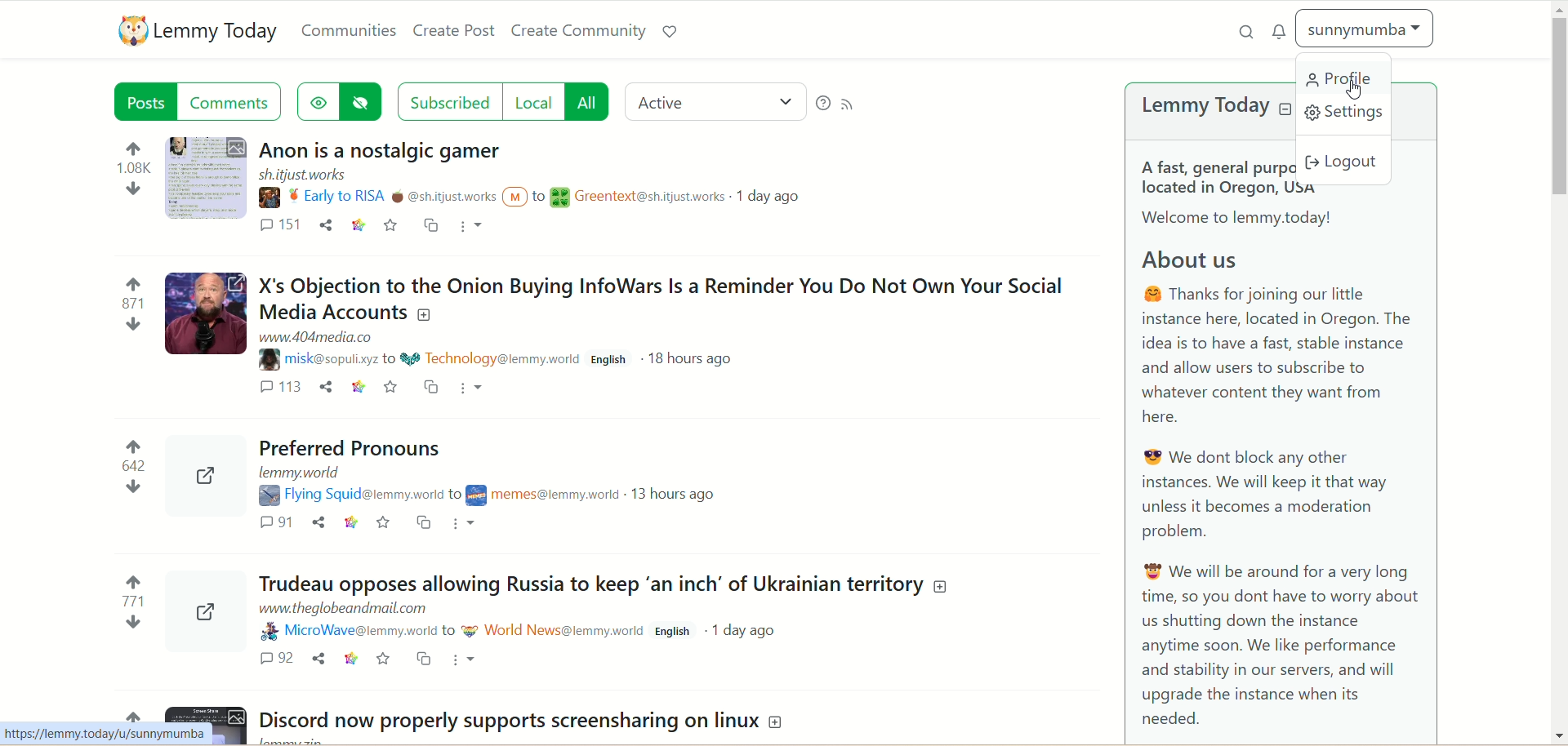 This screenshot has width=1568, height=746. What do you see at coordinates (1344, 164) in the screenshot?
I see `logout` at bounding box center [1344, 164].